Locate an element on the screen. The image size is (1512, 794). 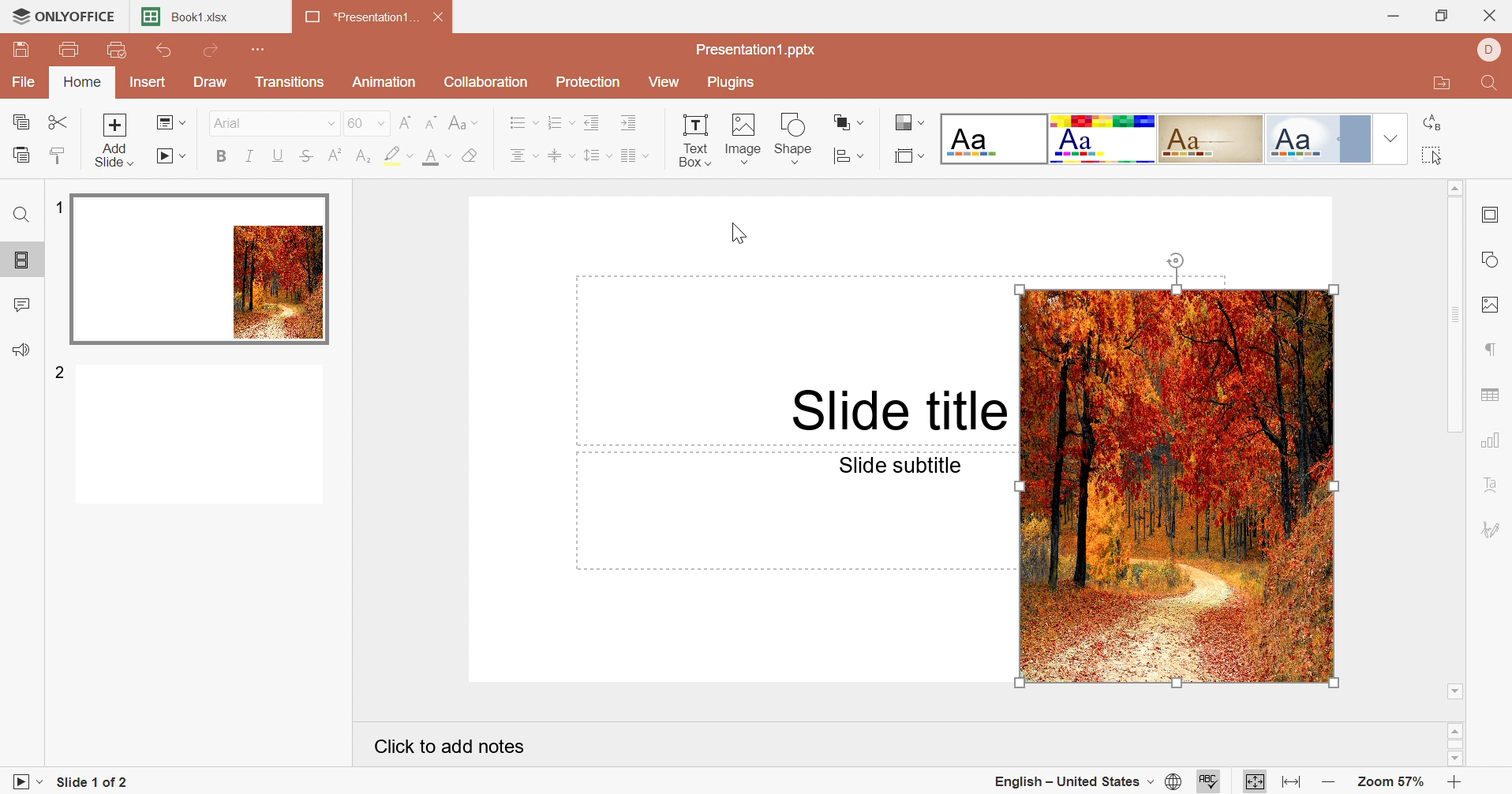
Add columns is located at coordinates (633, 156).